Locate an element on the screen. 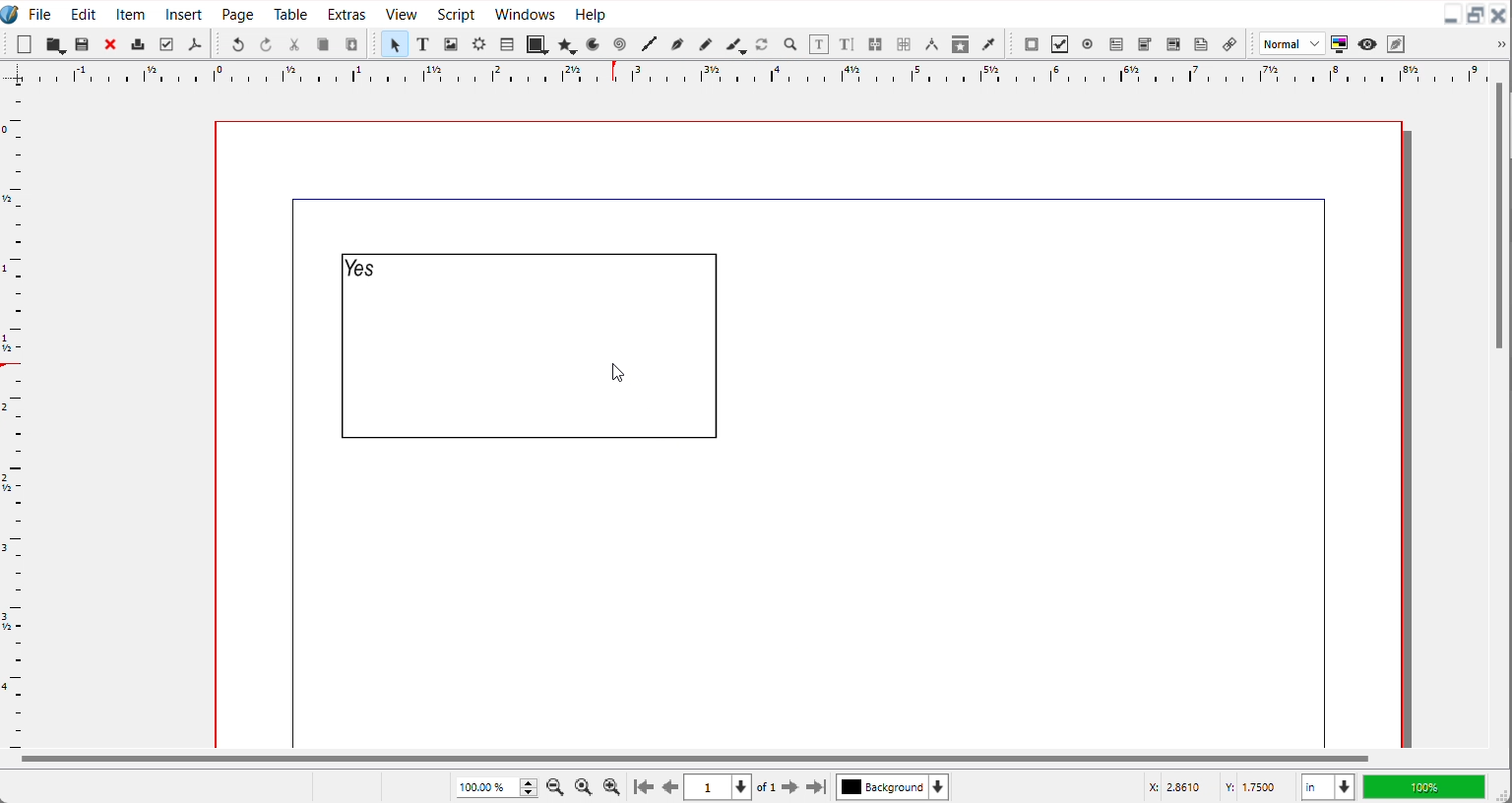  Maximize is located at coordinates (1476, 16).